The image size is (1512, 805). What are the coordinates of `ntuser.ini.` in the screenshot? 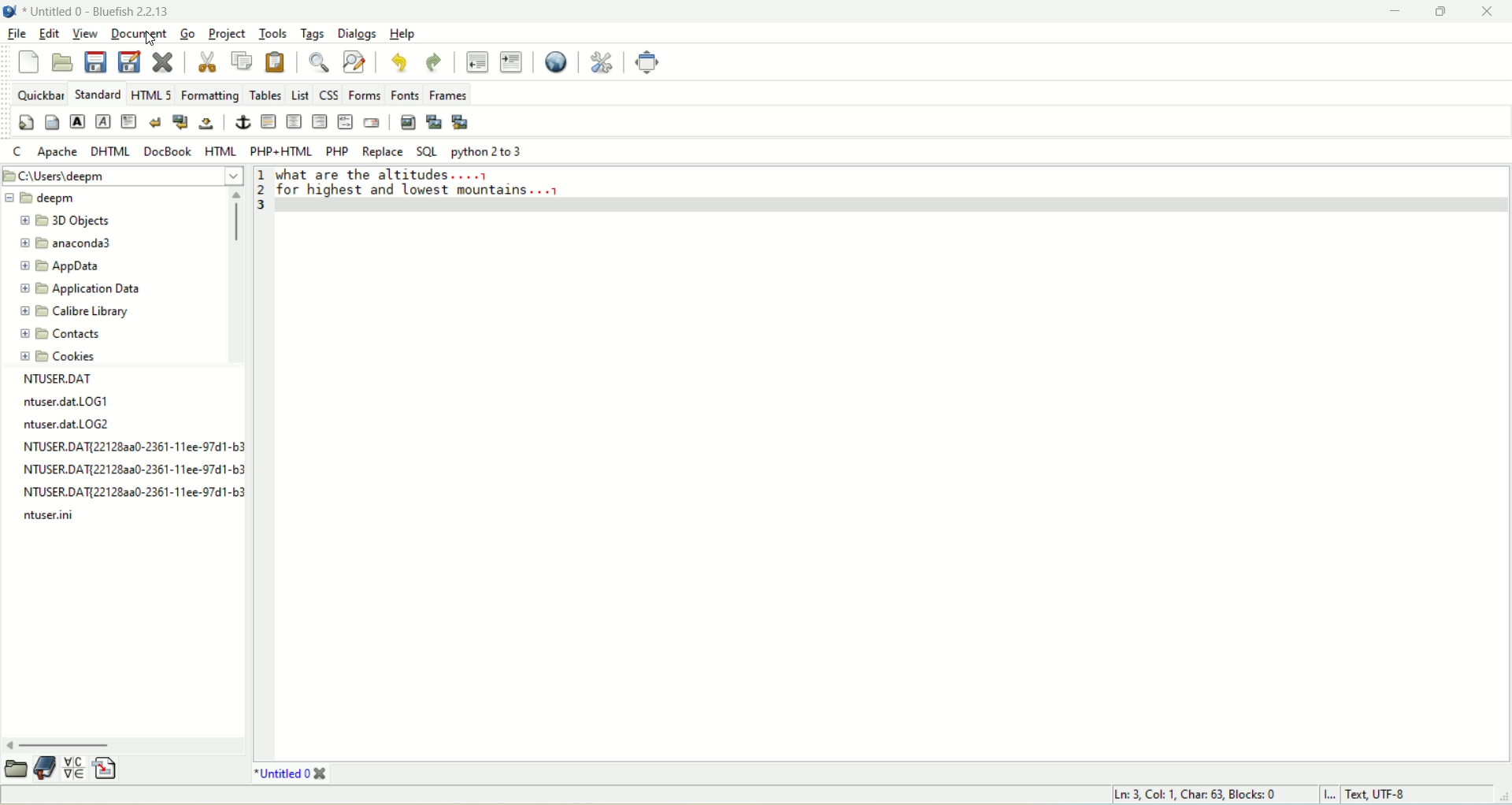 It's located at (53, 516).